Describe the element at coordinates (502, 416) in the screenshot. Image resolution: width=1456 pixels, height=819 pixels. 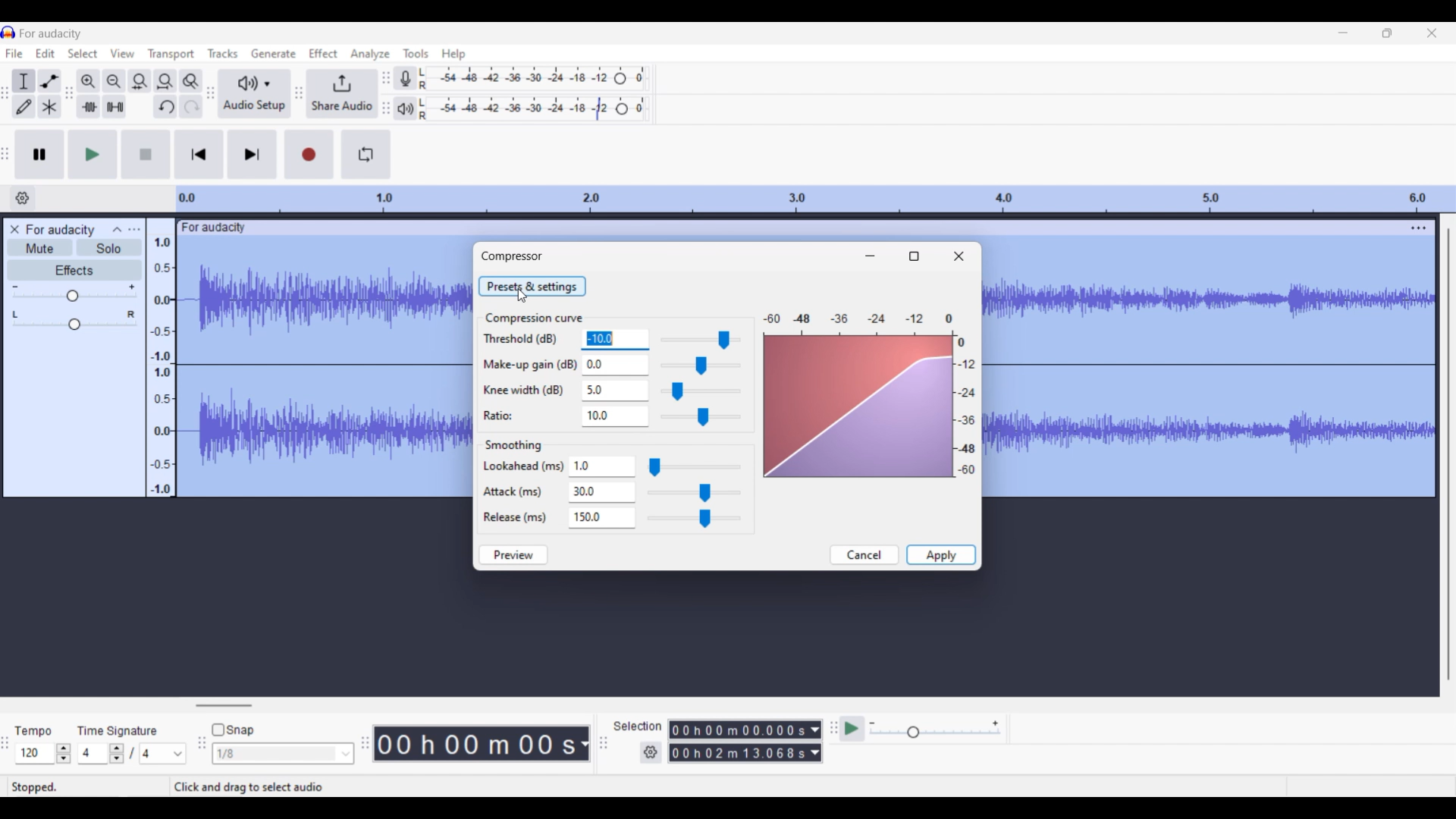
I see `Ratio:` at that location.